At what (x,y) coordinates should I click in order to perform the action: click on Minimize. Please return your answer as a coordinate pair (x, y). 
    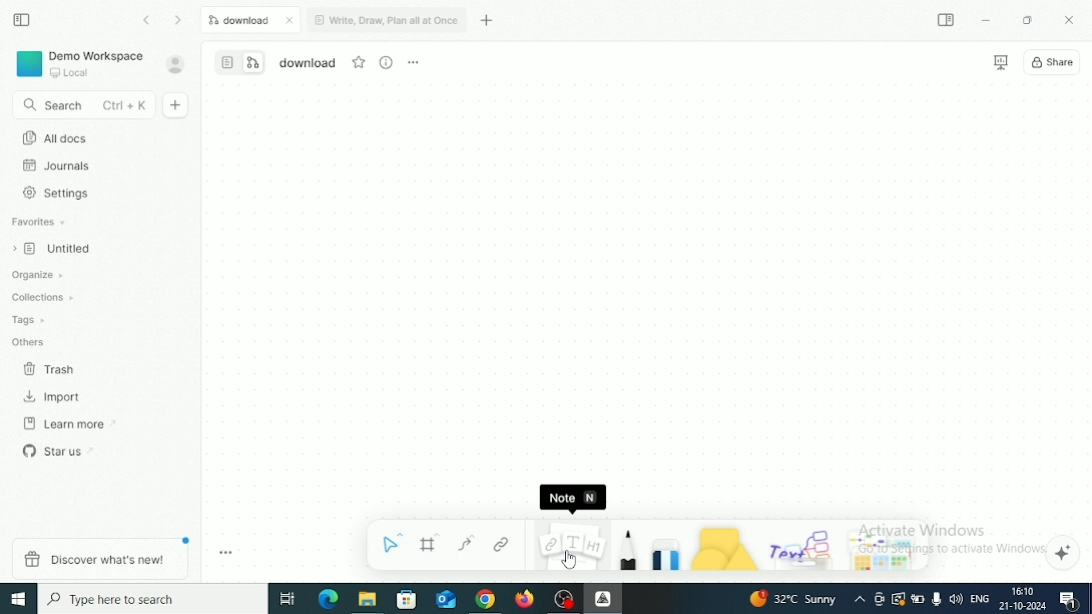
    Looking at the image, I should click on (986, 19).